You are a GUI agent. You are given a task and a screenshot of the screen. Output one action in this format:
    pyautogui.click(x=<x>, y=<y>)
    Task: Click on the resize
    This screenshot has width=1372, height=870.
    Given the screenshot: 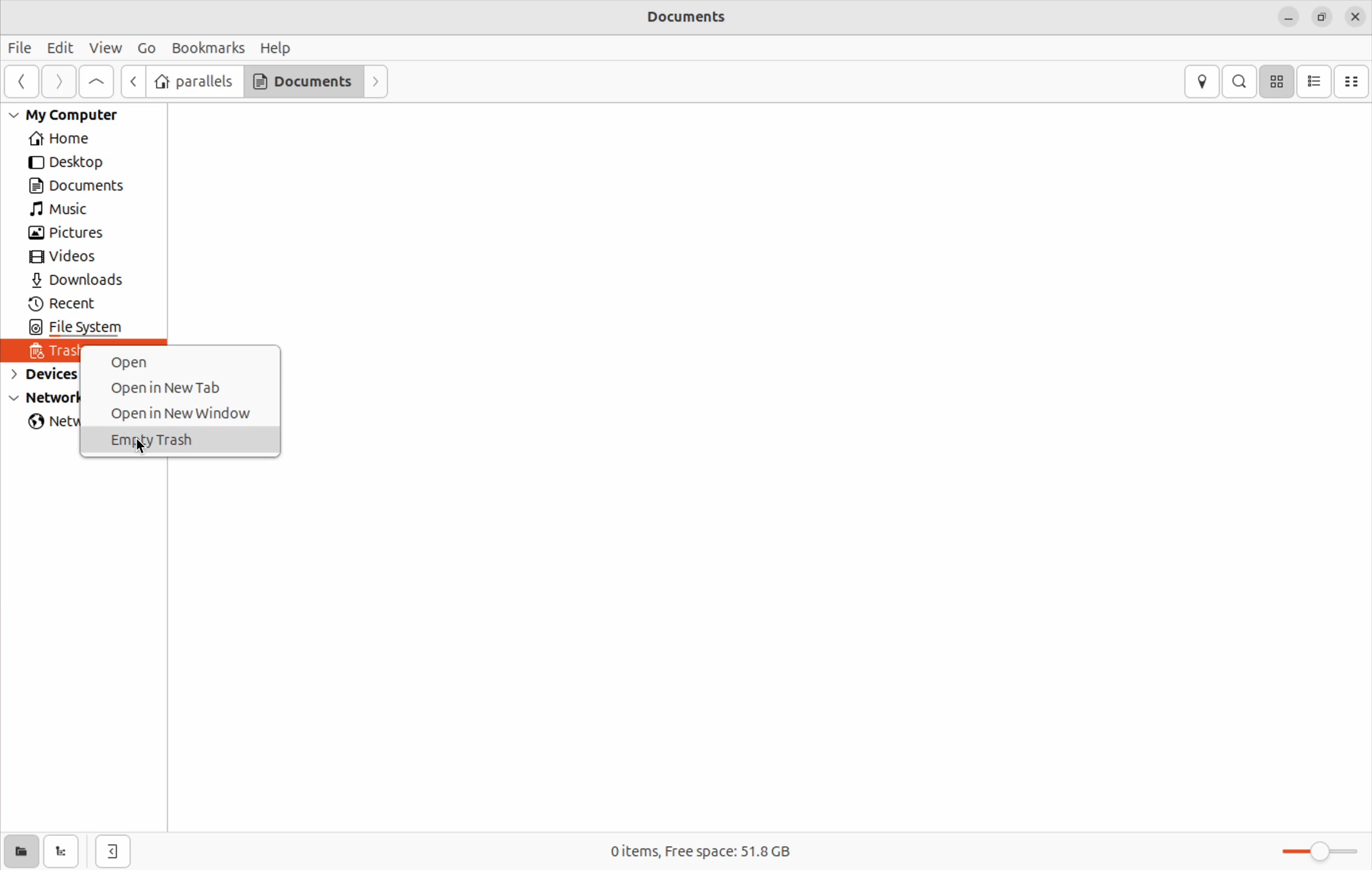 What is the action you would take?
    pyautogui.click(x=1322, y=17)
    